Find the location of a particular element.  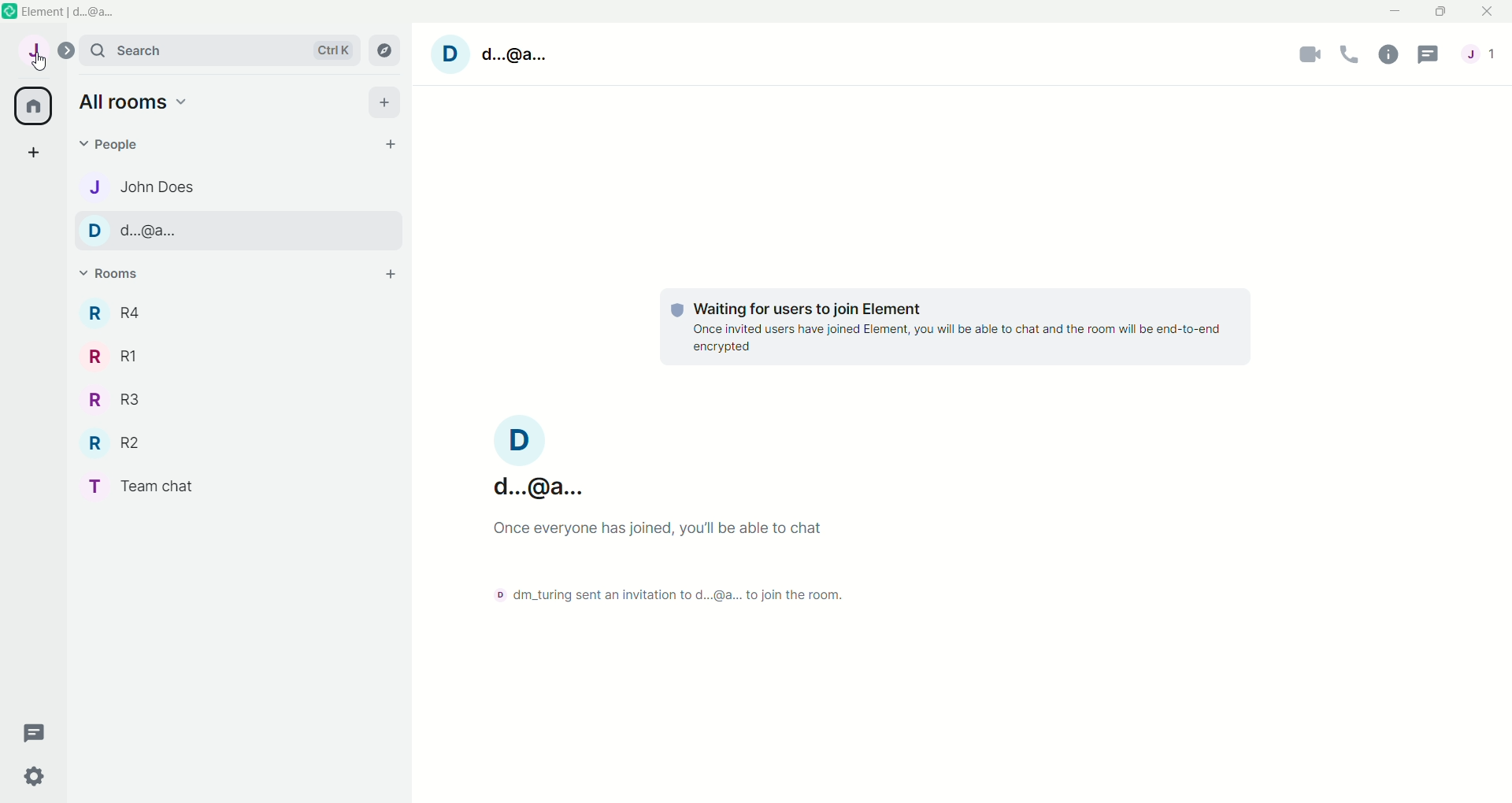

User options is located at coordinates (31, 54).